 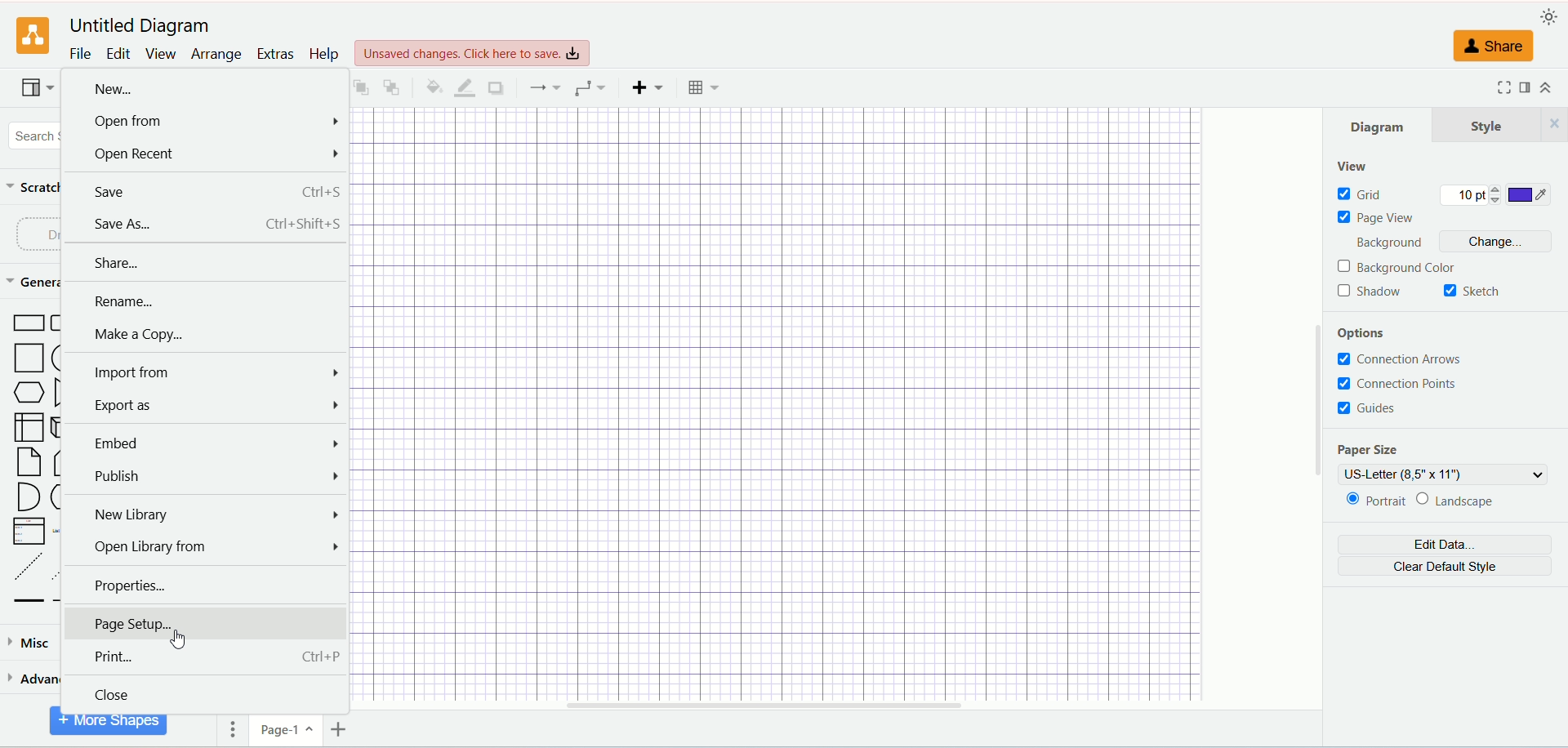 I want to click on add page, so click(x=342, y=731).